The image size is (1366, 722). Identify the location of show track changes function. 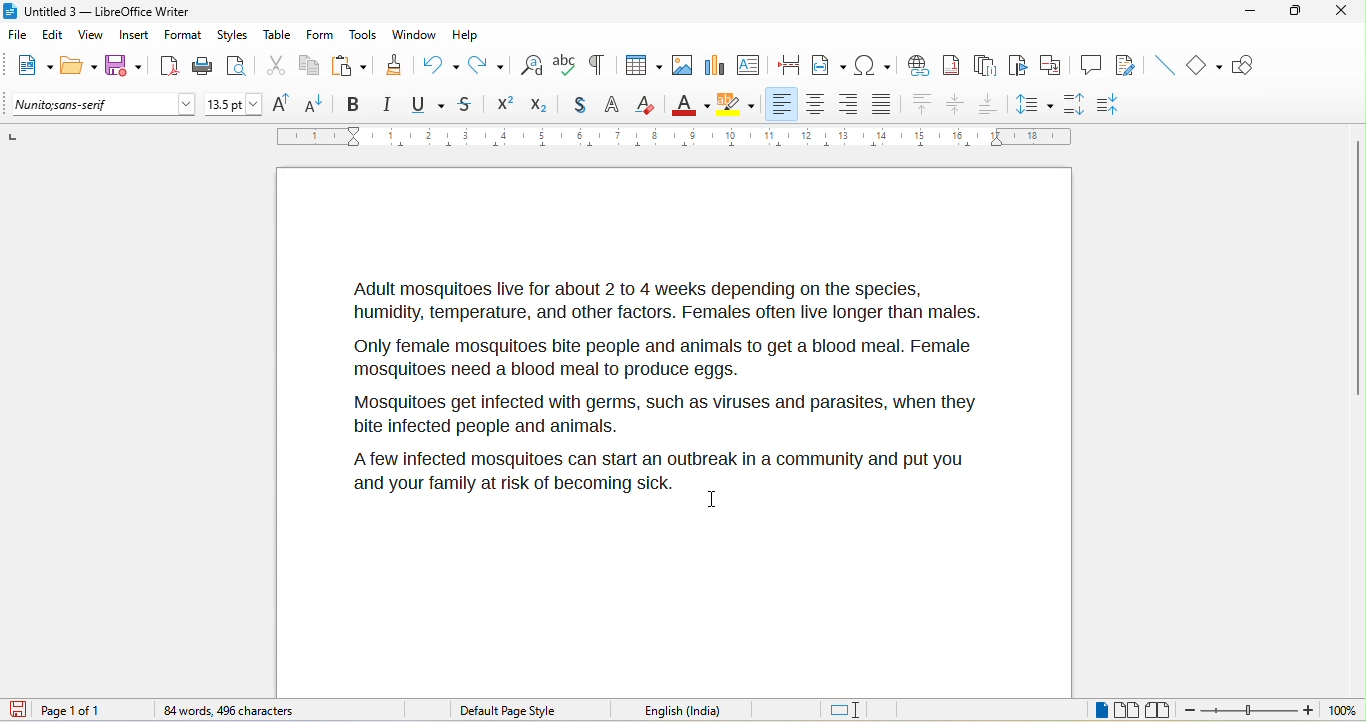
(1129, 66).